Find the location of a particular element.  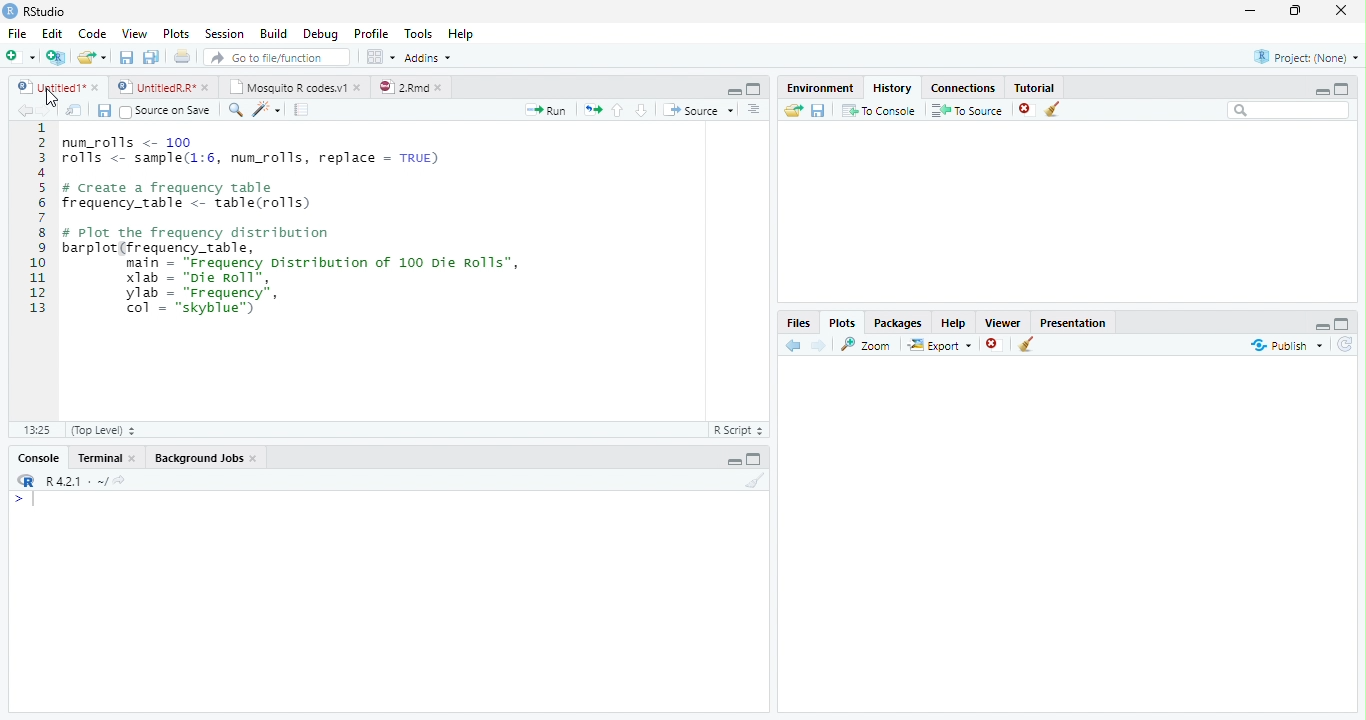

Go to file/function is located at coordinates (275, 57).